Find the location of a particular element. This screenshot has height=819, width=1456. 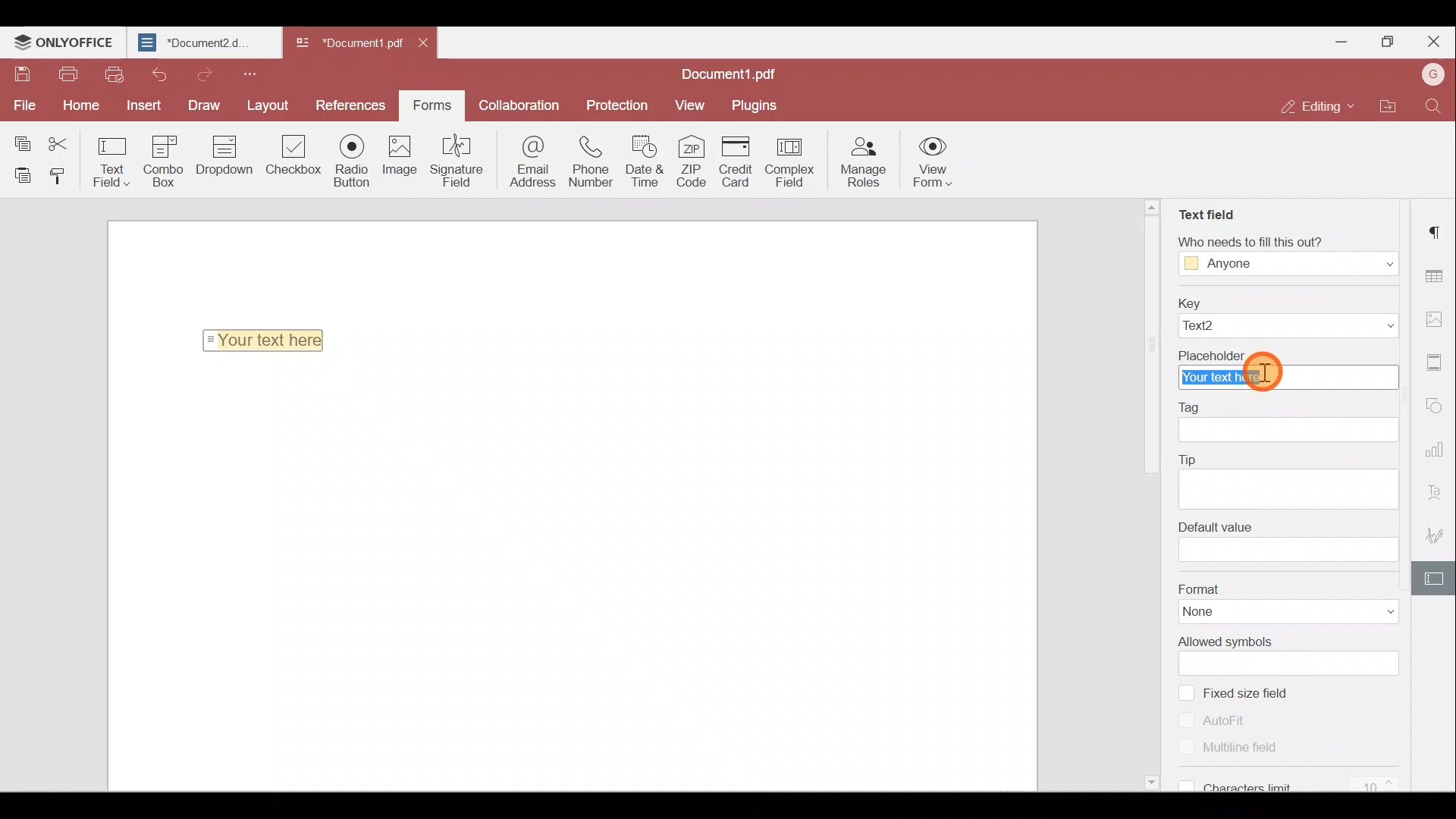

Default value is located at coordinates (1215, 526).